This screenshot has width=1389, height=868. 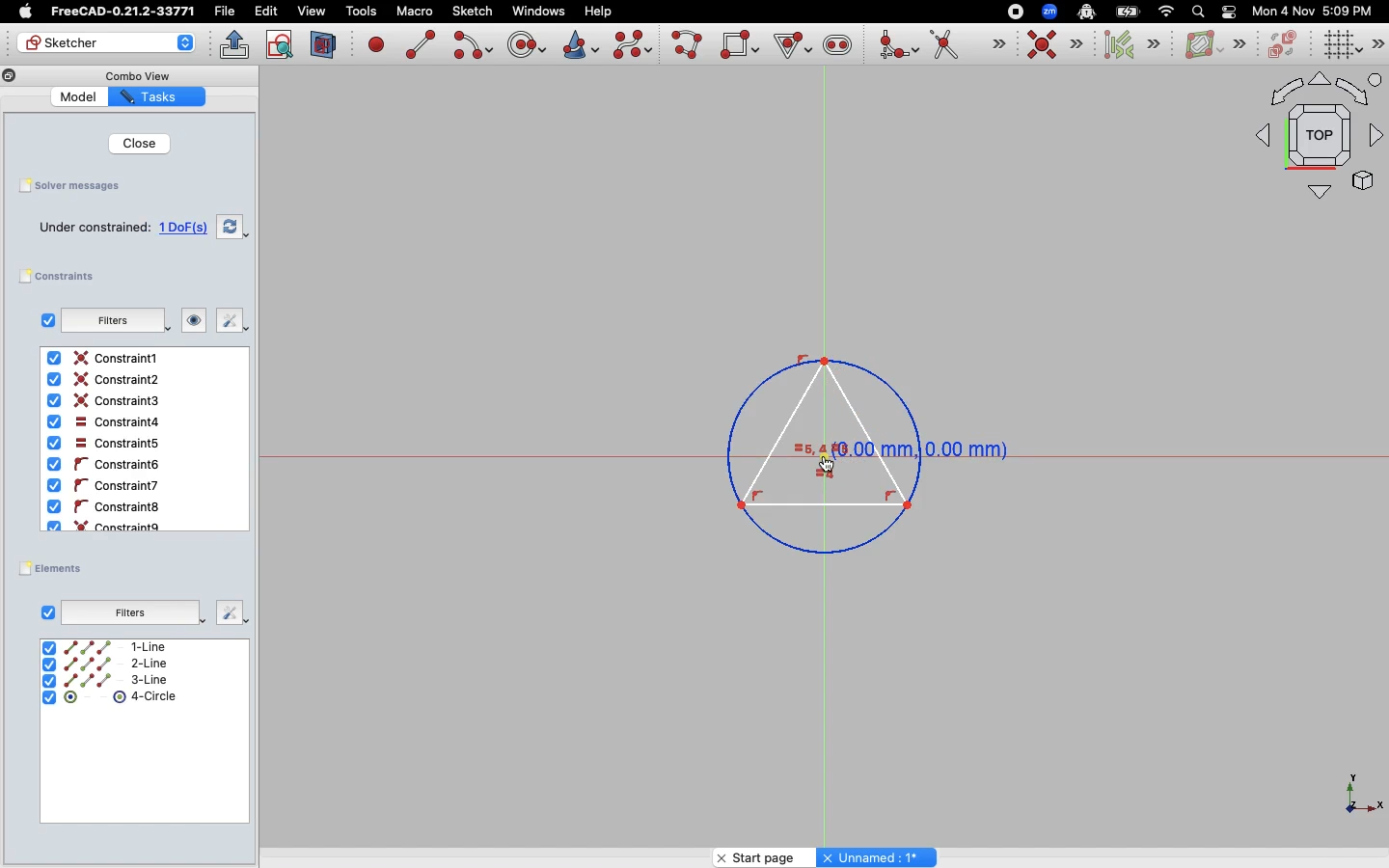 What do you see at coordinates (474, 12) in the screenshot?
I see `Sketch` at bounding box center [474, 12].